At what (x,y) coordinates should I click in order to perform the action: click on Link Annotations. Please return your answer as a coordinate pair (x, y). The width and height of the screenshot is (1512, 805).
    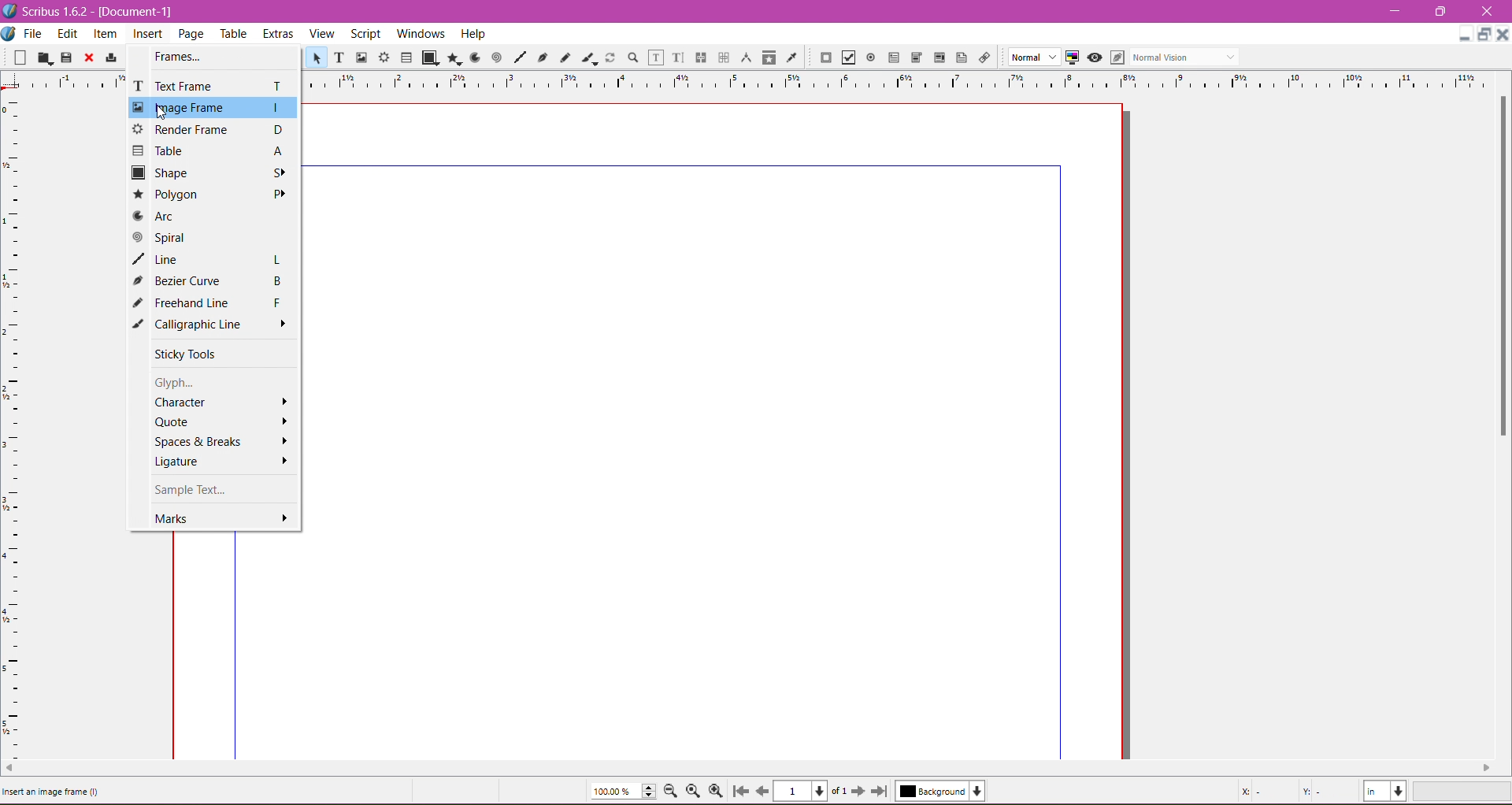
    Looking at the image, I should click on (984, 58).